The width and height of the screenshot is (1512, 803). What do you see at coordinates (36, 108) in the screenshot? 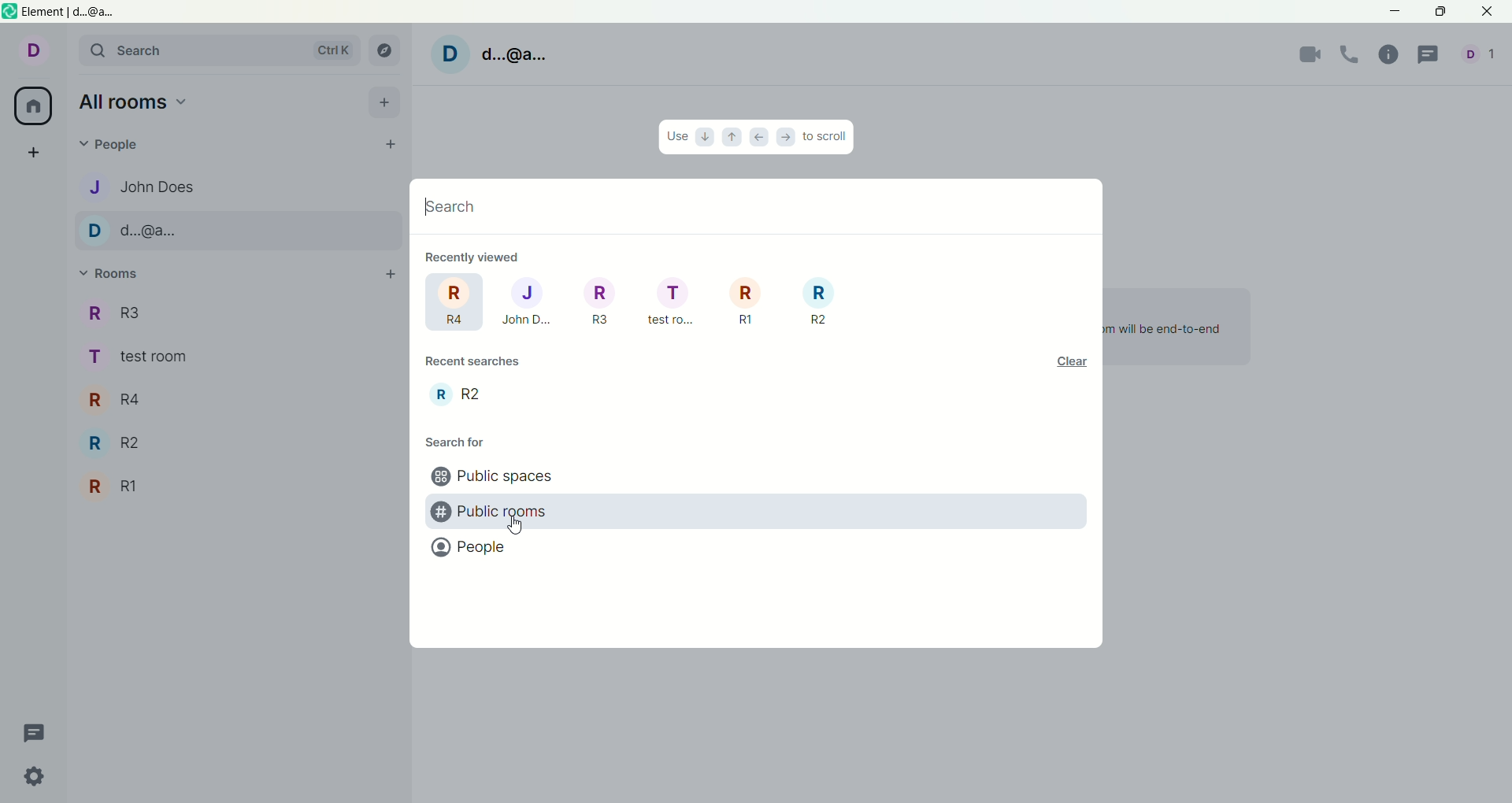
I see `all rooms` at bounding box center [36, 108].